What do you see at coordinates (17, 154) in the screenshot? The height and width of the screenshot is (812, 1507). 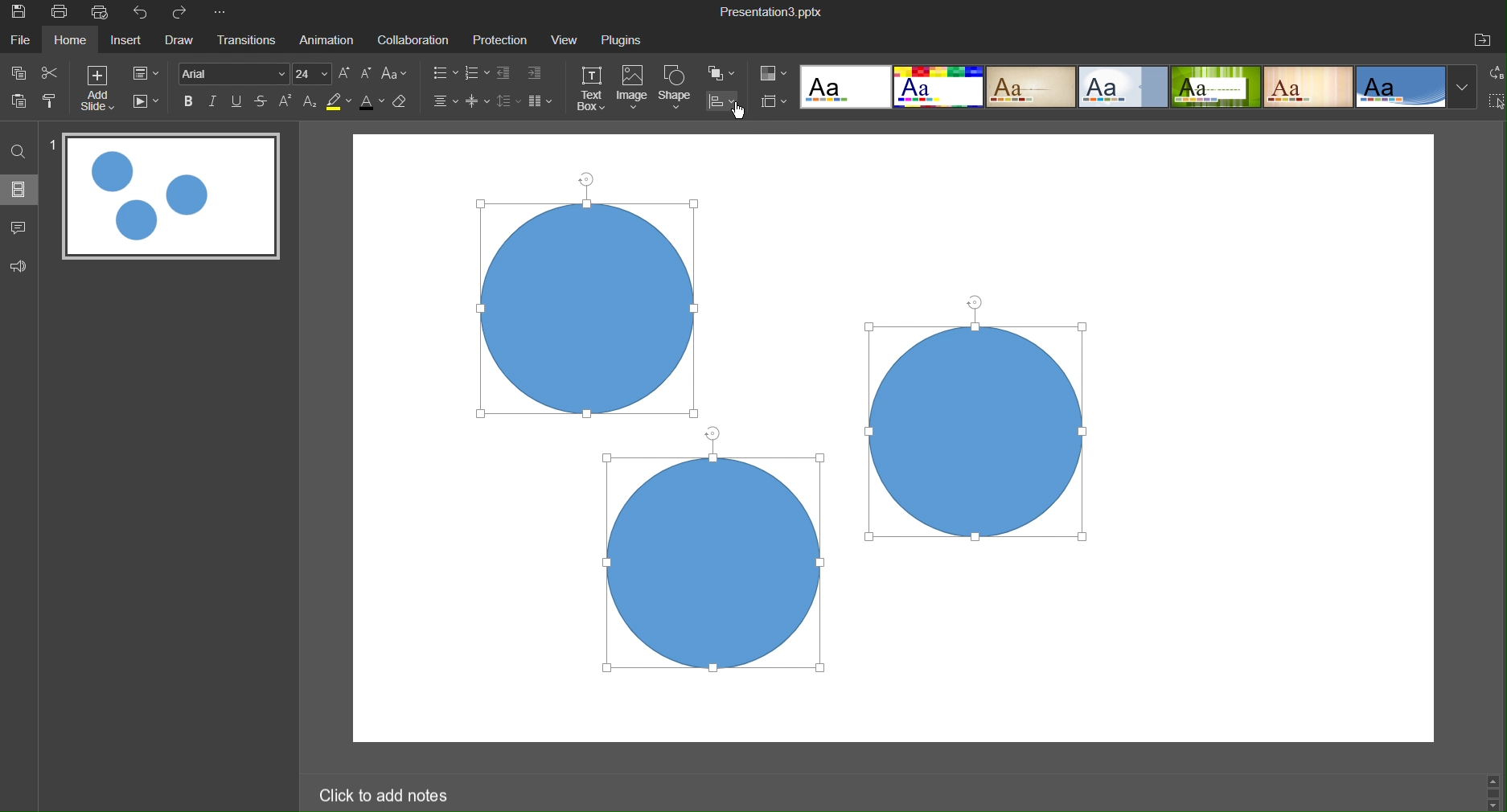 I see `Find` at bounding box center [17, 154].